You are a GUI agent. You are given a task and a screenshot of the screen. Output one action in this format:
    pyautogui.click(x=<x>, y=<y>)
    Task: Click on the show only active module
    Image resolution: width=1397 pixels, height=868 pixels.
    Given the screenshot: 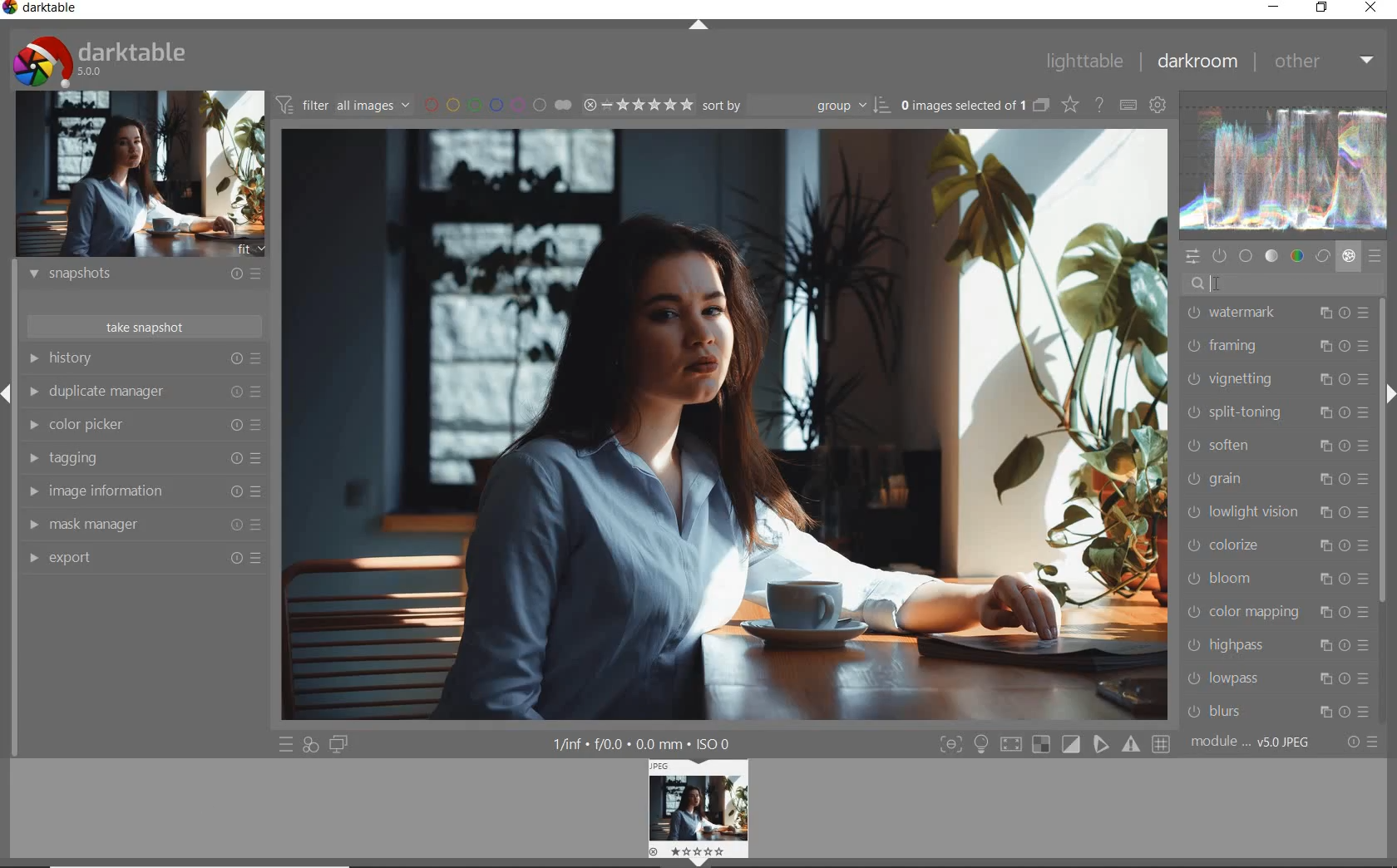 What is the action you would take?
    pyautogui.click(x=1221, y=255)
    